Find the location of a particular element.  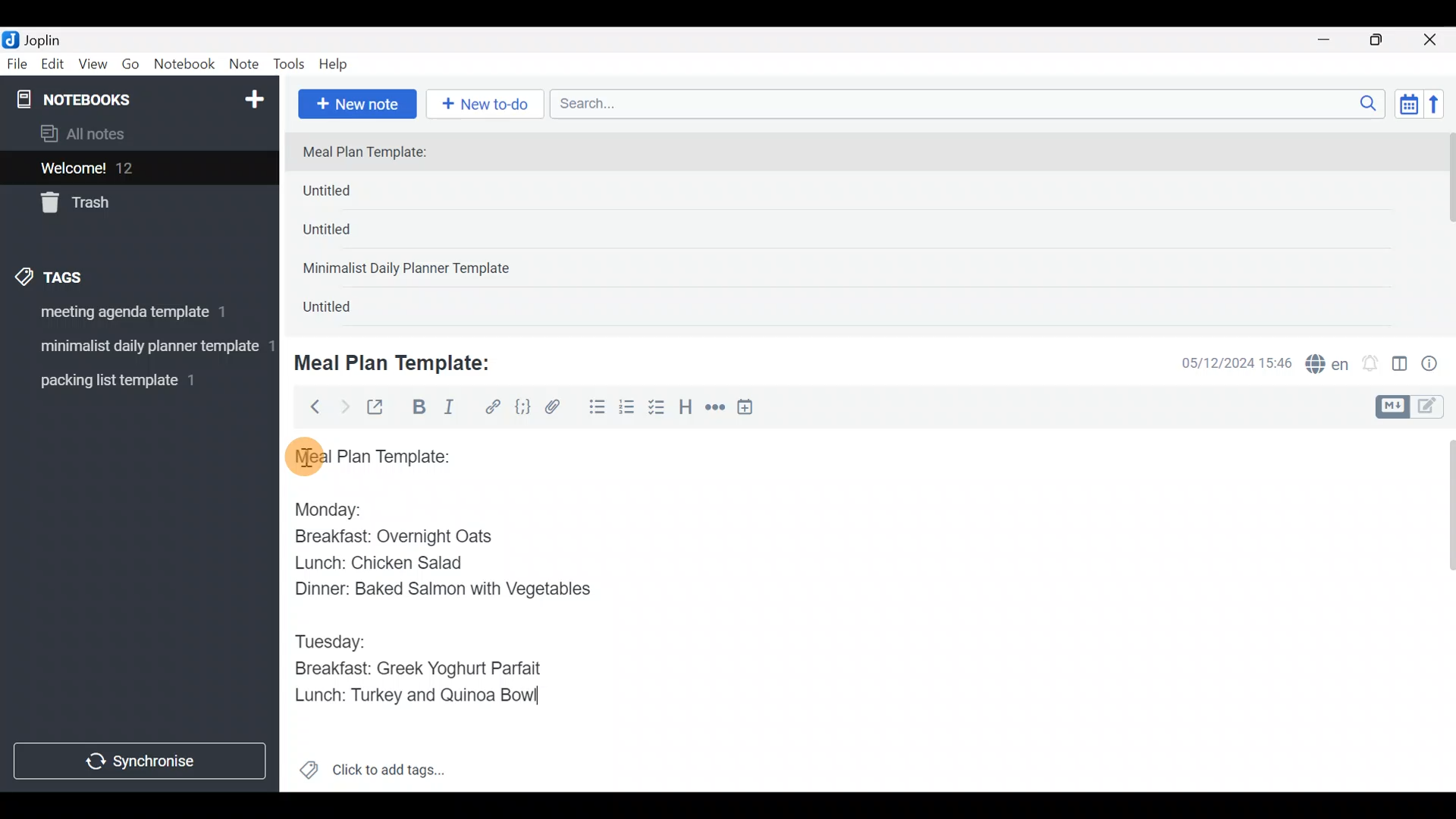

Tag 3 is located at coordinates (134, 380).